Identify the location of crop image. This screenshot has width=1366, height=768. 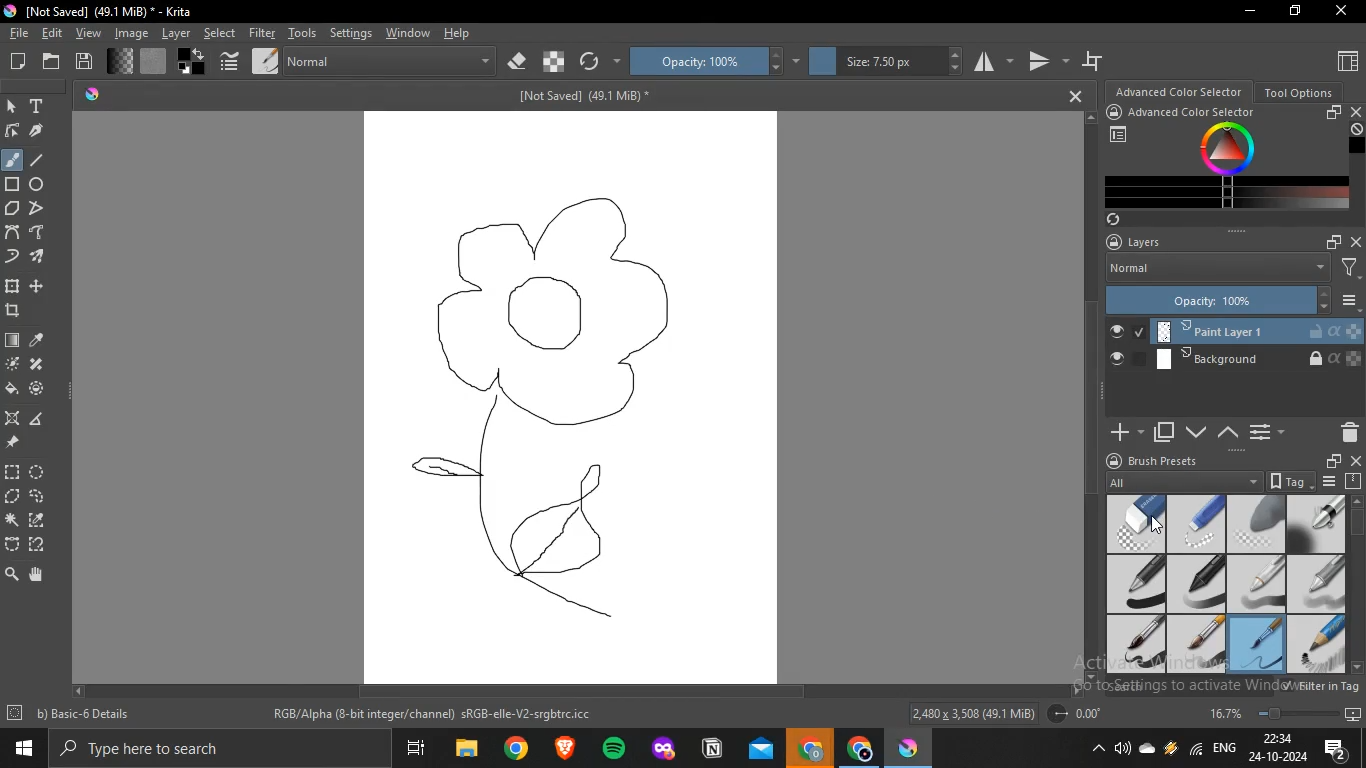
(13, 309).